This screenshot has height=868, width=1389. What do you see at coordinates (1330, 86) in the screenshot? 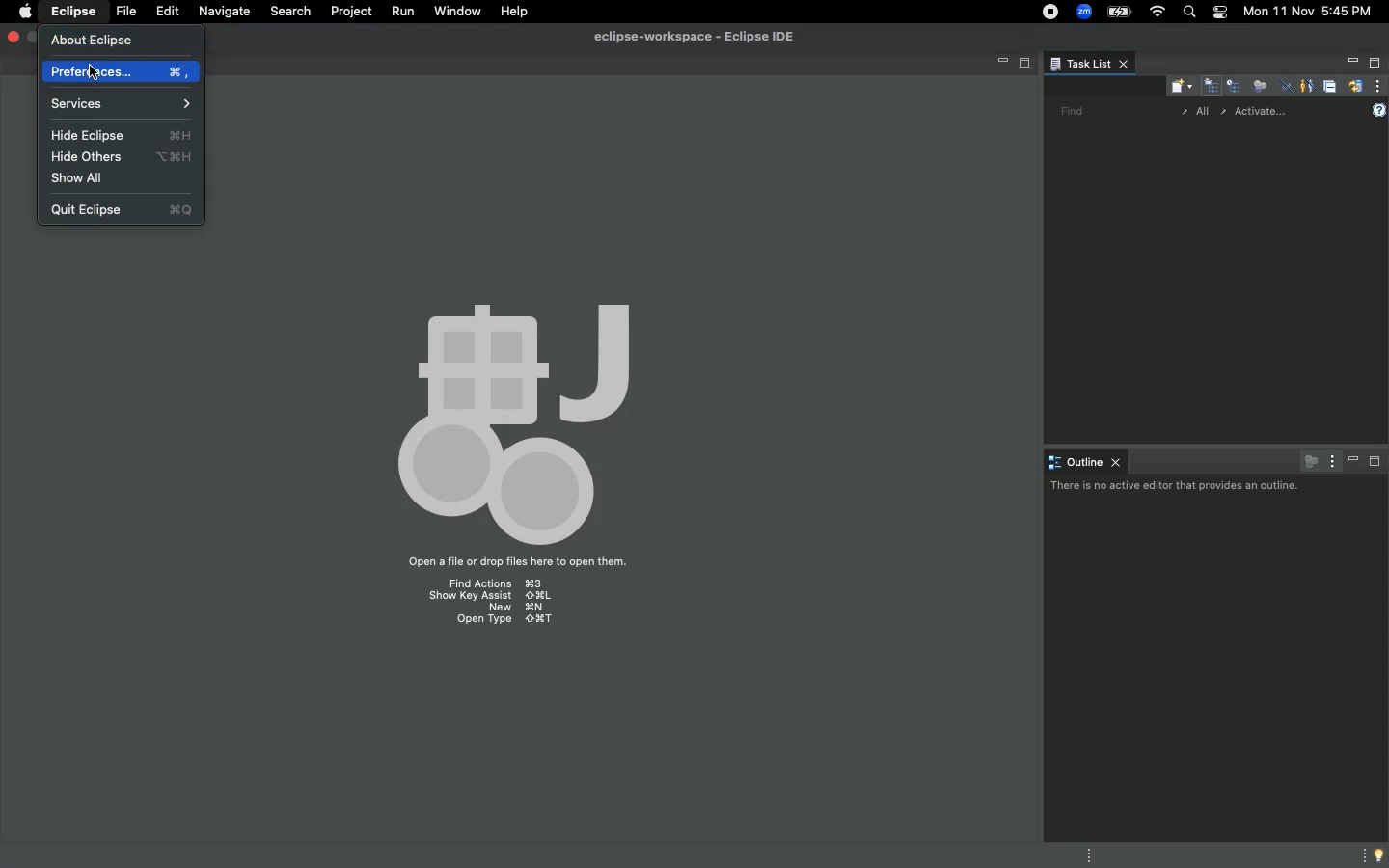
I see `Collapse all` at bounding box center [1330, 86].